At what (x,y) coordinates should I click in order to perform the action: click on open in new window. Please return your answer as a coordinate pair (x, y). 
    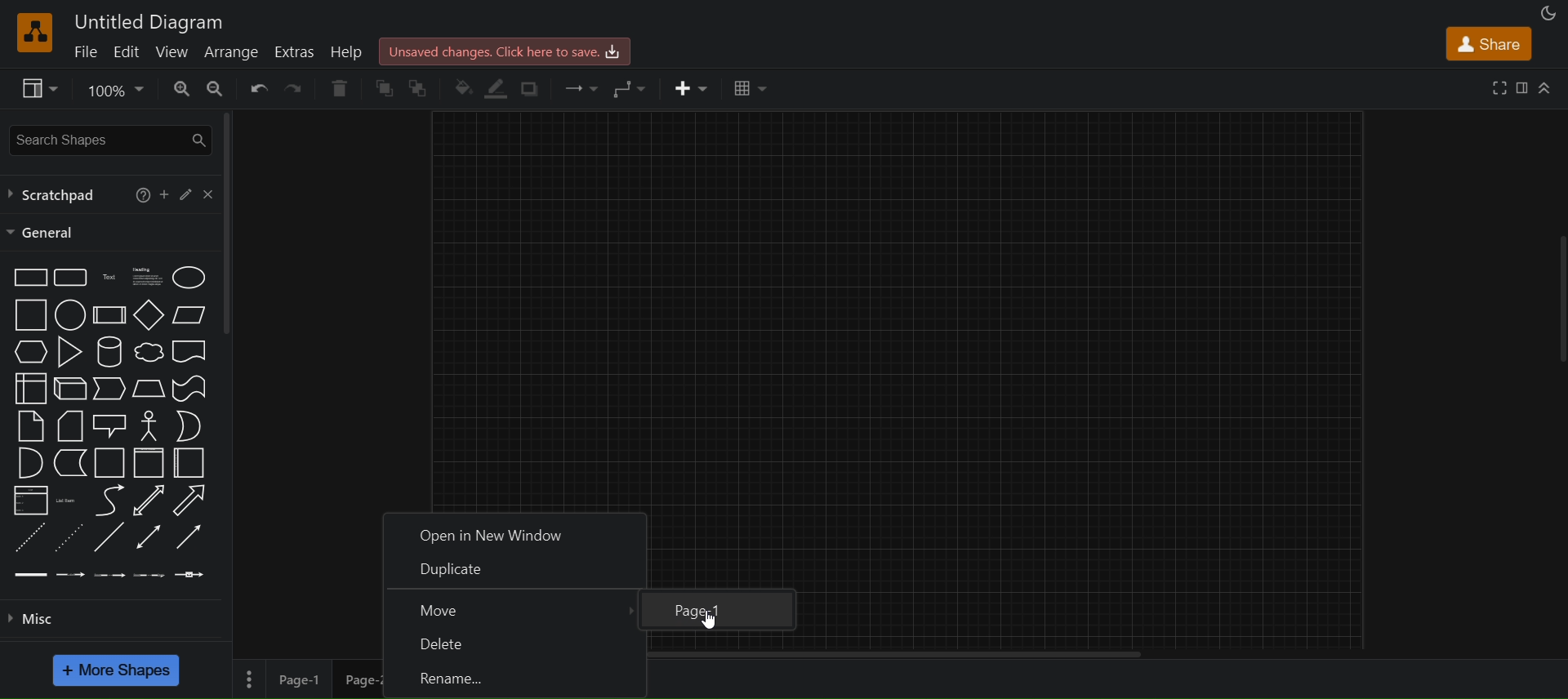
    Looking at the image, I should click on (510, 530).